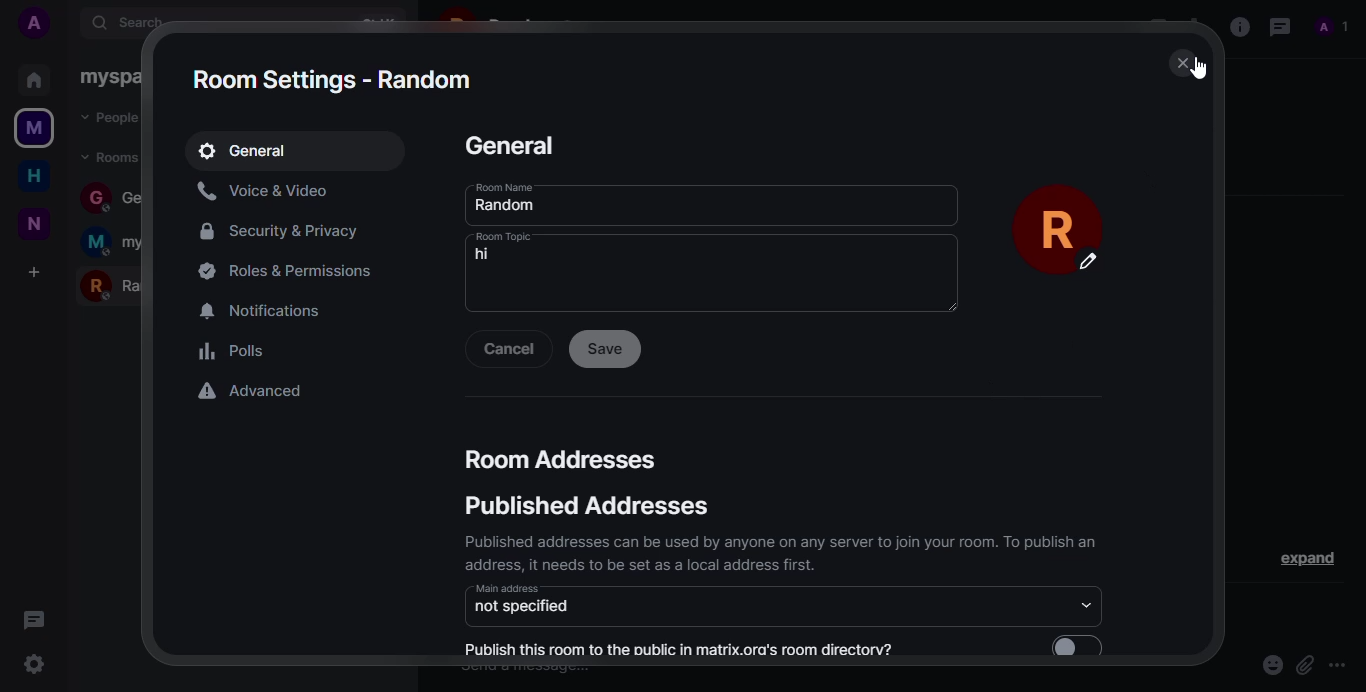 Image resolution: width=1366 pixels, height=692 pixels. Describe the element at coordinates (589, 506) in the screenshot. I see `published addresses` at that location.